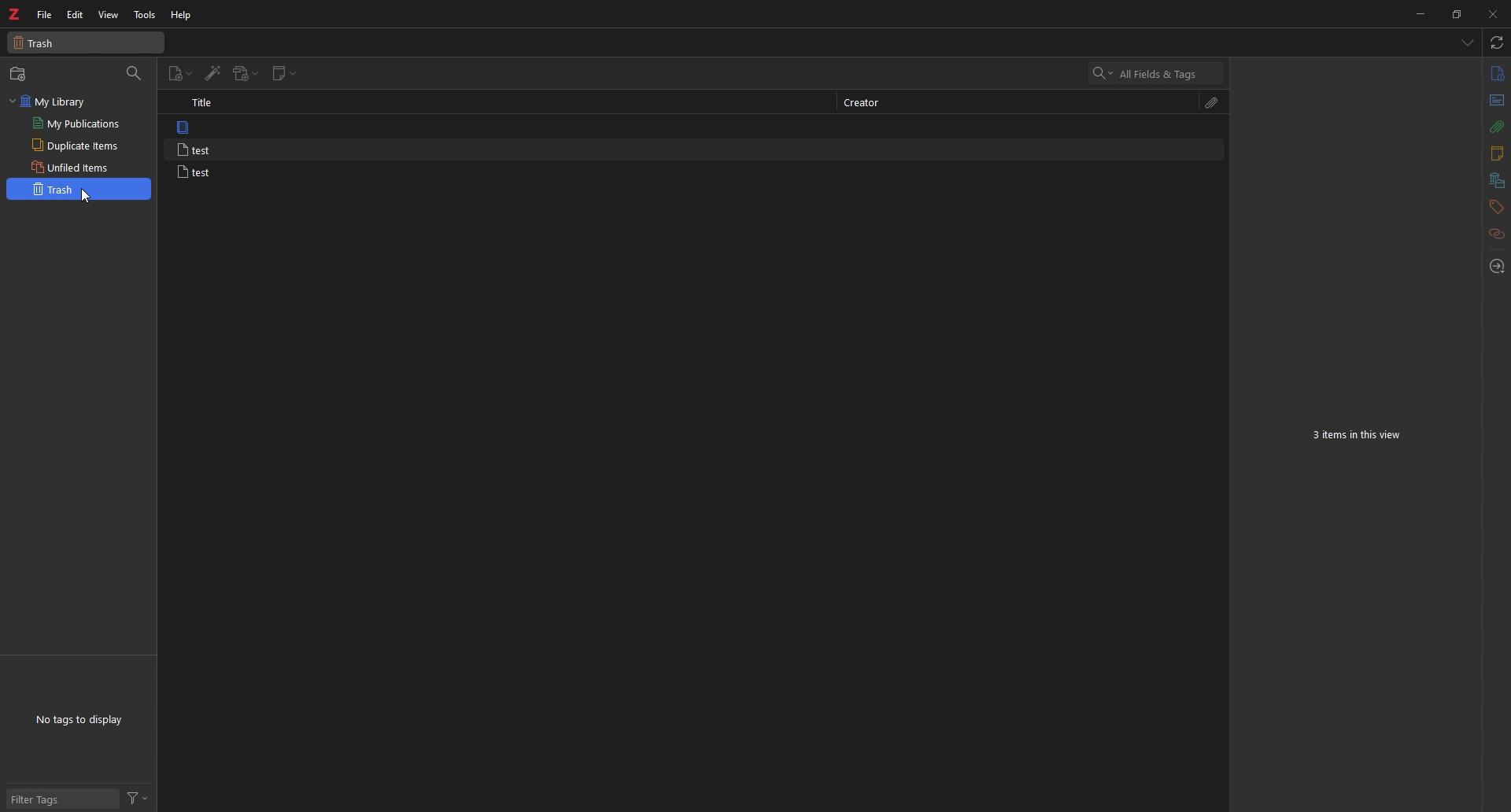 This screenshot has height=812, width=1511. I want to click on Cursor, so click(84, 197).